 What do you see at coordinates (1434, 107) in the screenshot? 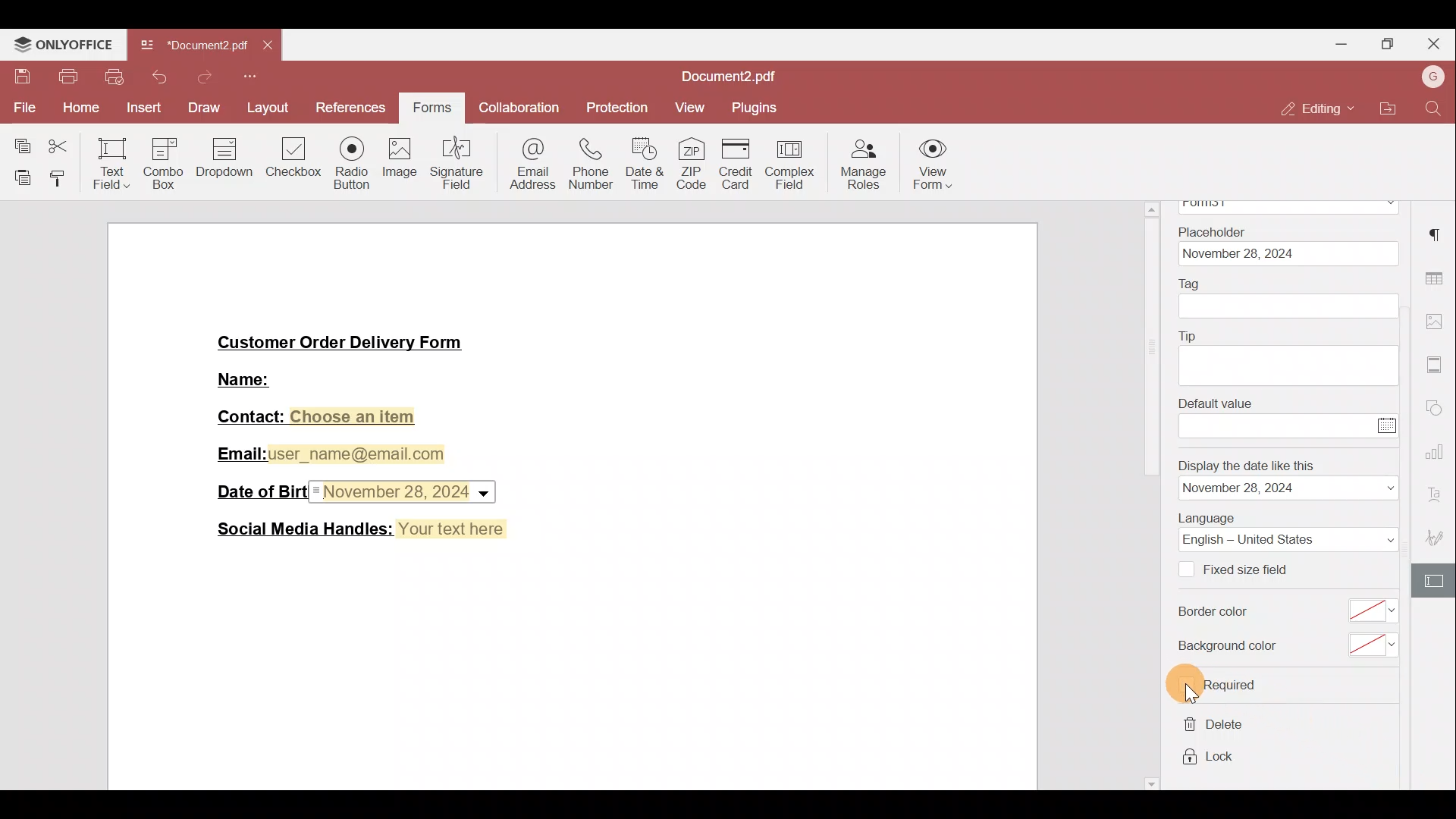
I see `Find` at bounding box center [1434, 107].